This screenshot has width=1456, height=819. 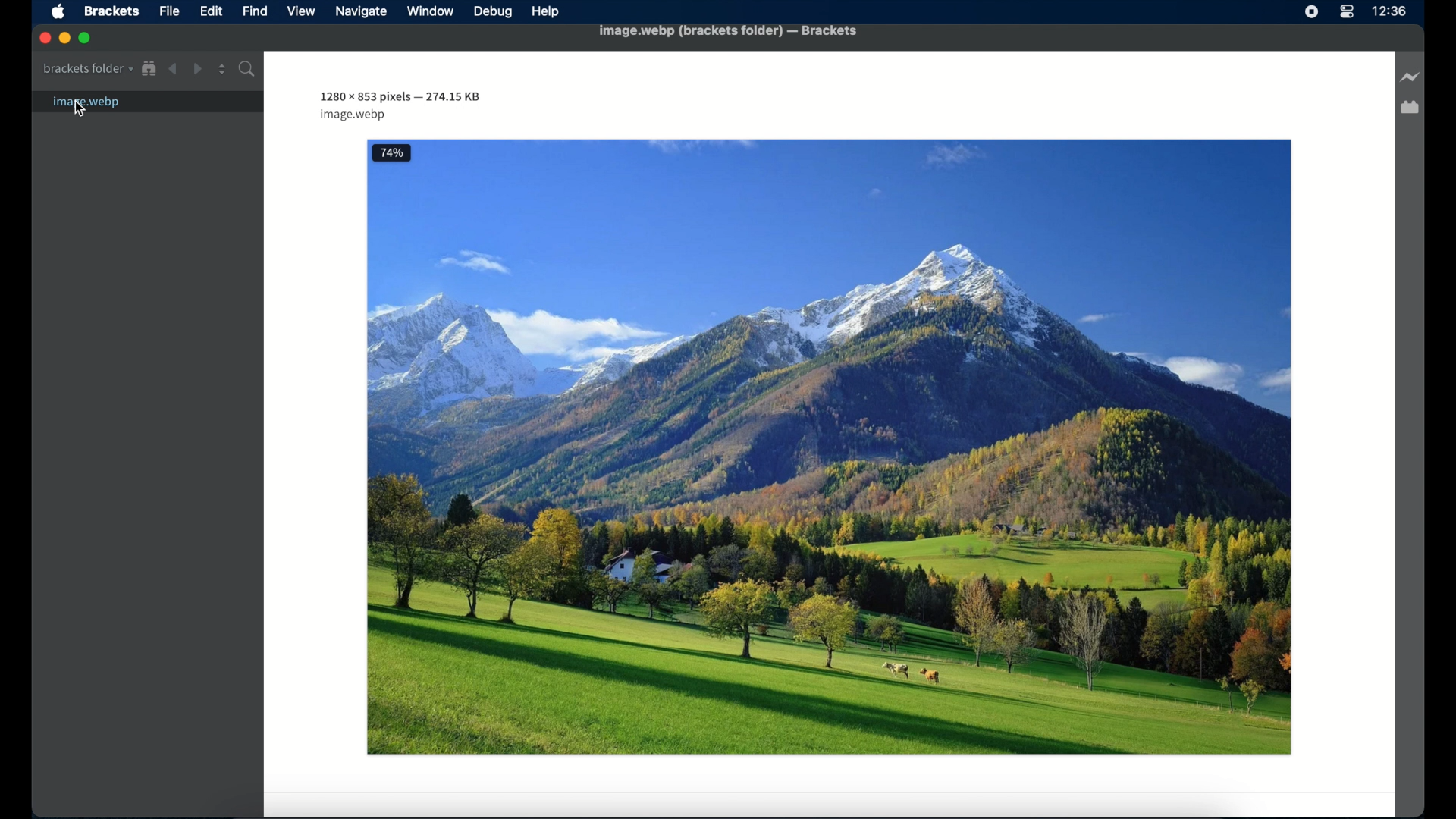 What do you see at coordinates (303, 11) in the screenshot?
I see `View` at bounding box center [303, 11].